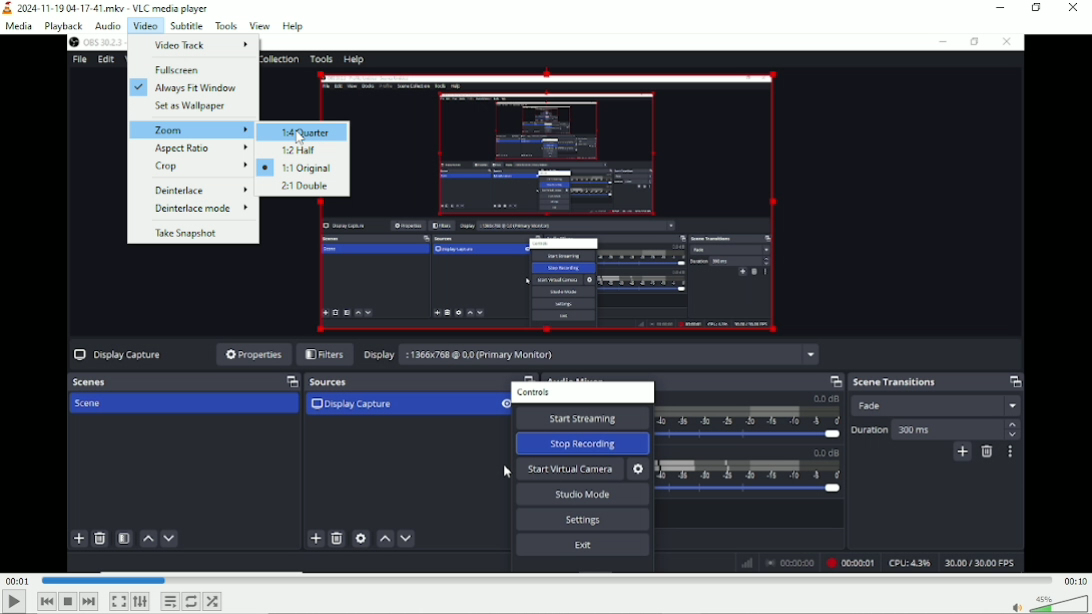 This screenshot has height=614, width=1092. What do you see at coordinates (299, 137) in the screenshot?
I see `Cursor` at bounding box center [299, 137].